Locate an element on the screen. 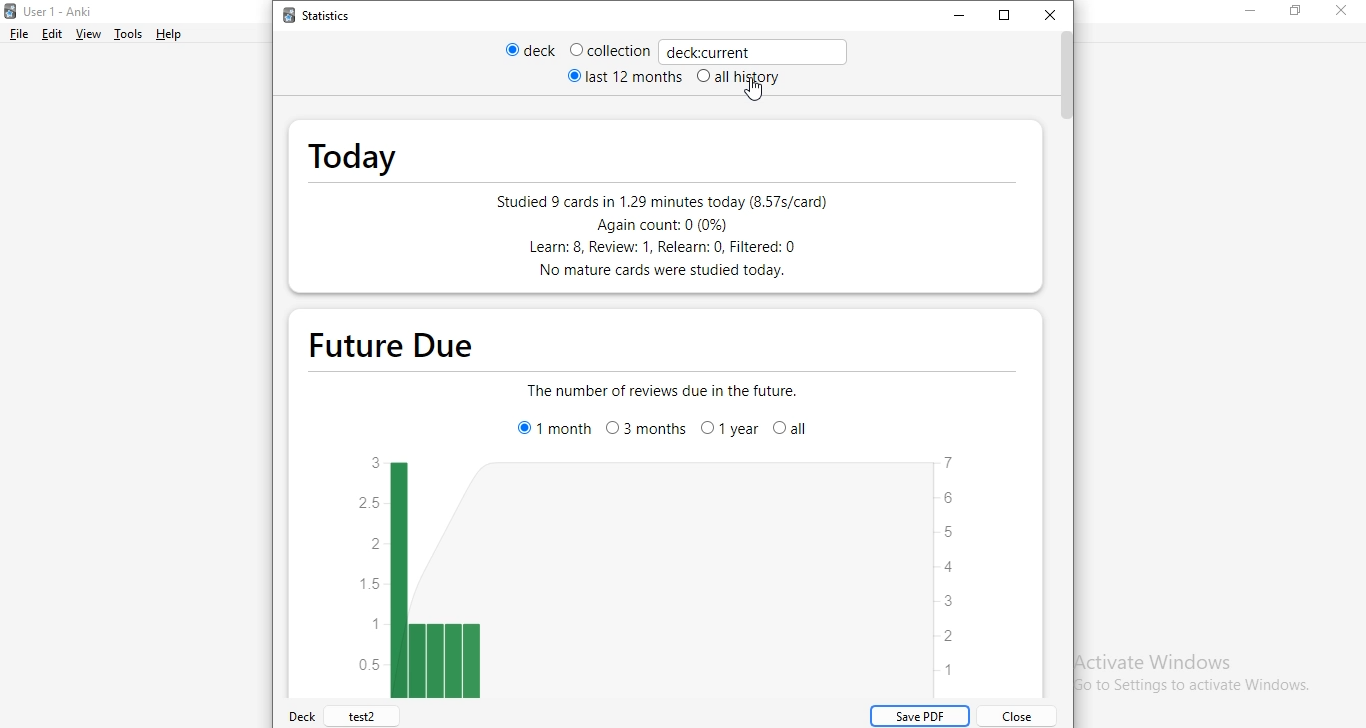 This screenshot has width=1366, height=728. edit is located at coordinates (50, 33).